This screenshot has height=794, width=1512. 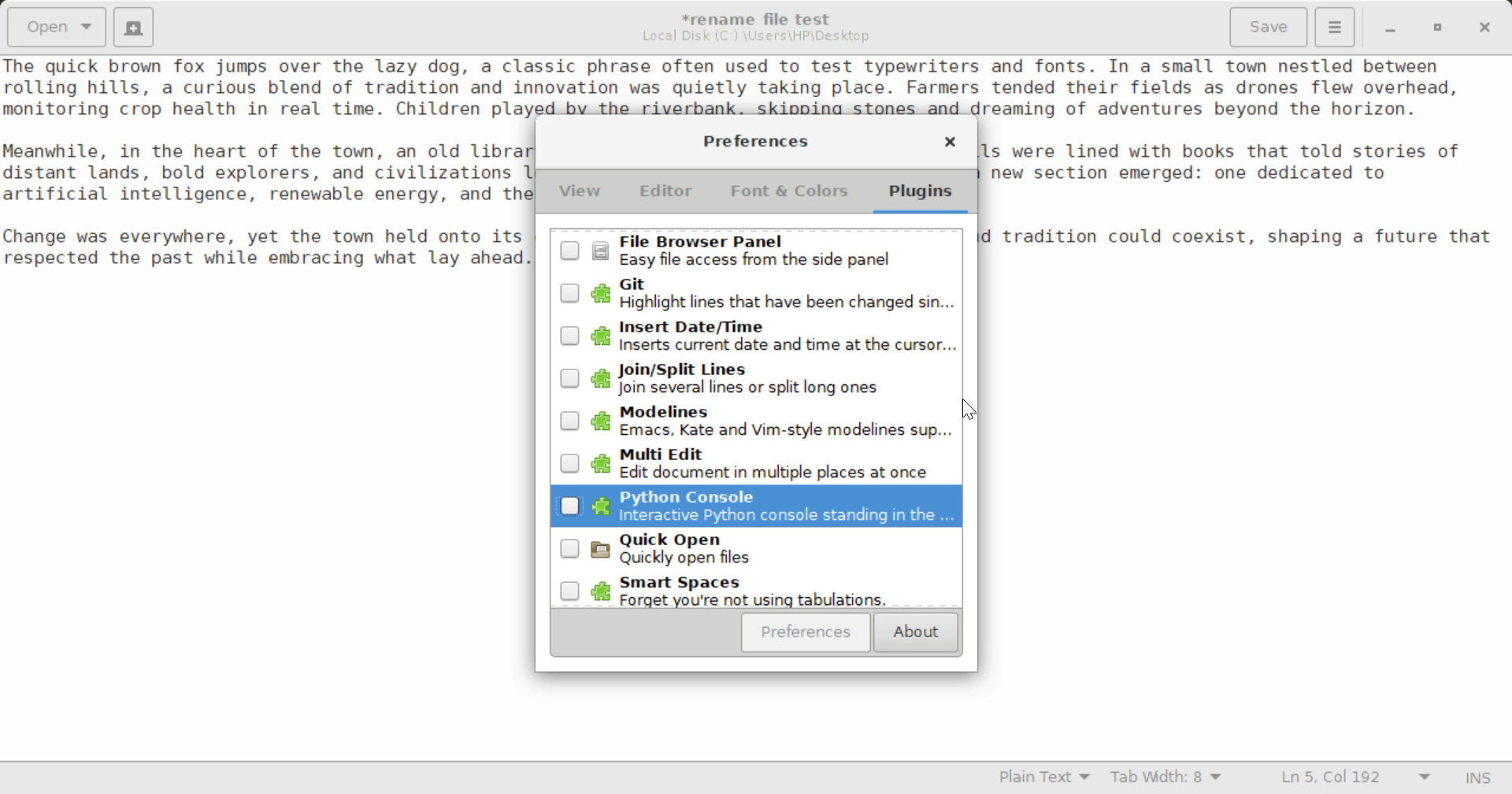 I want to click on Plugins Tab Selected, so click(x=925, y=197).